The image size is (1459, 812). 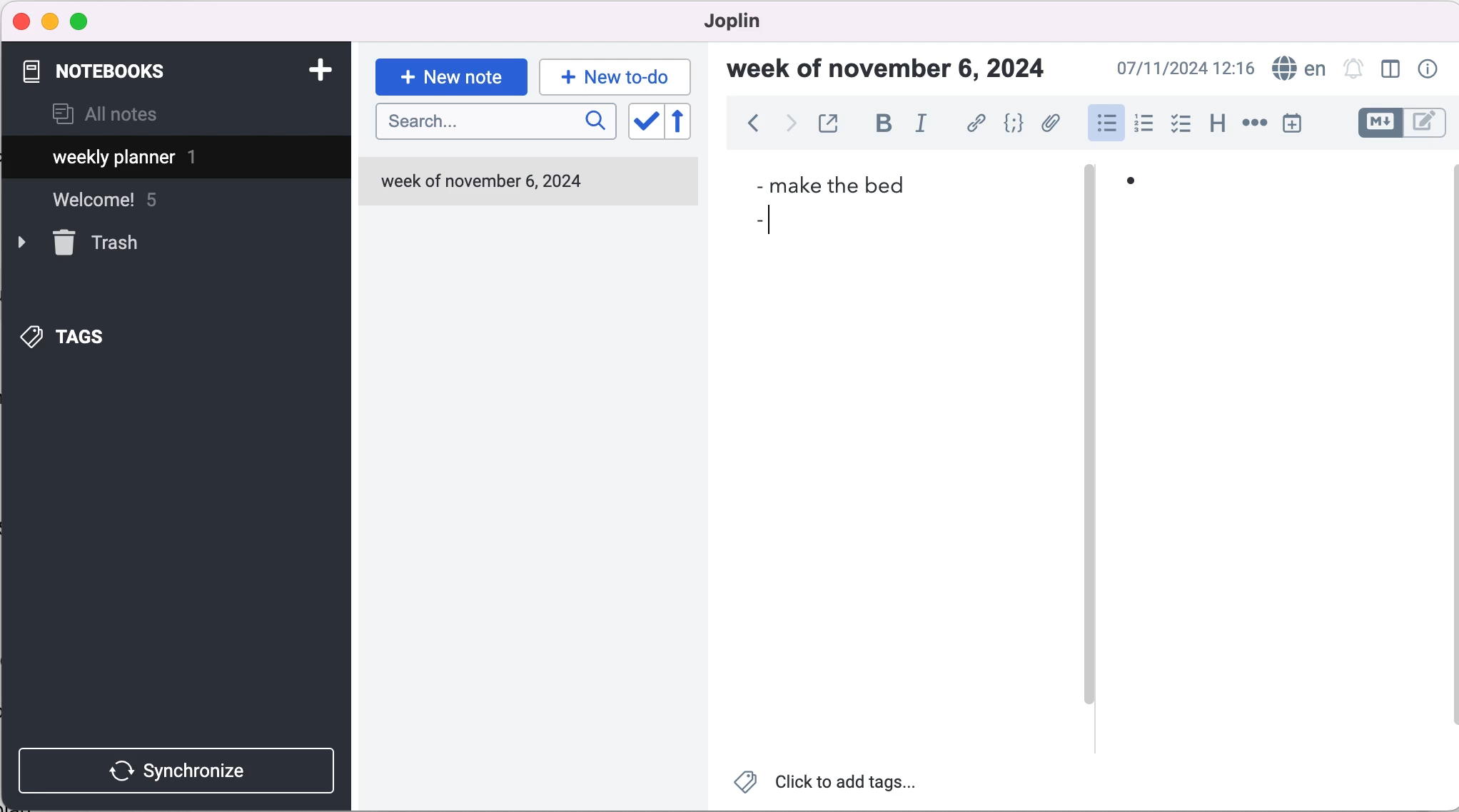 I want to click on code, so click(x=1014, y=125).